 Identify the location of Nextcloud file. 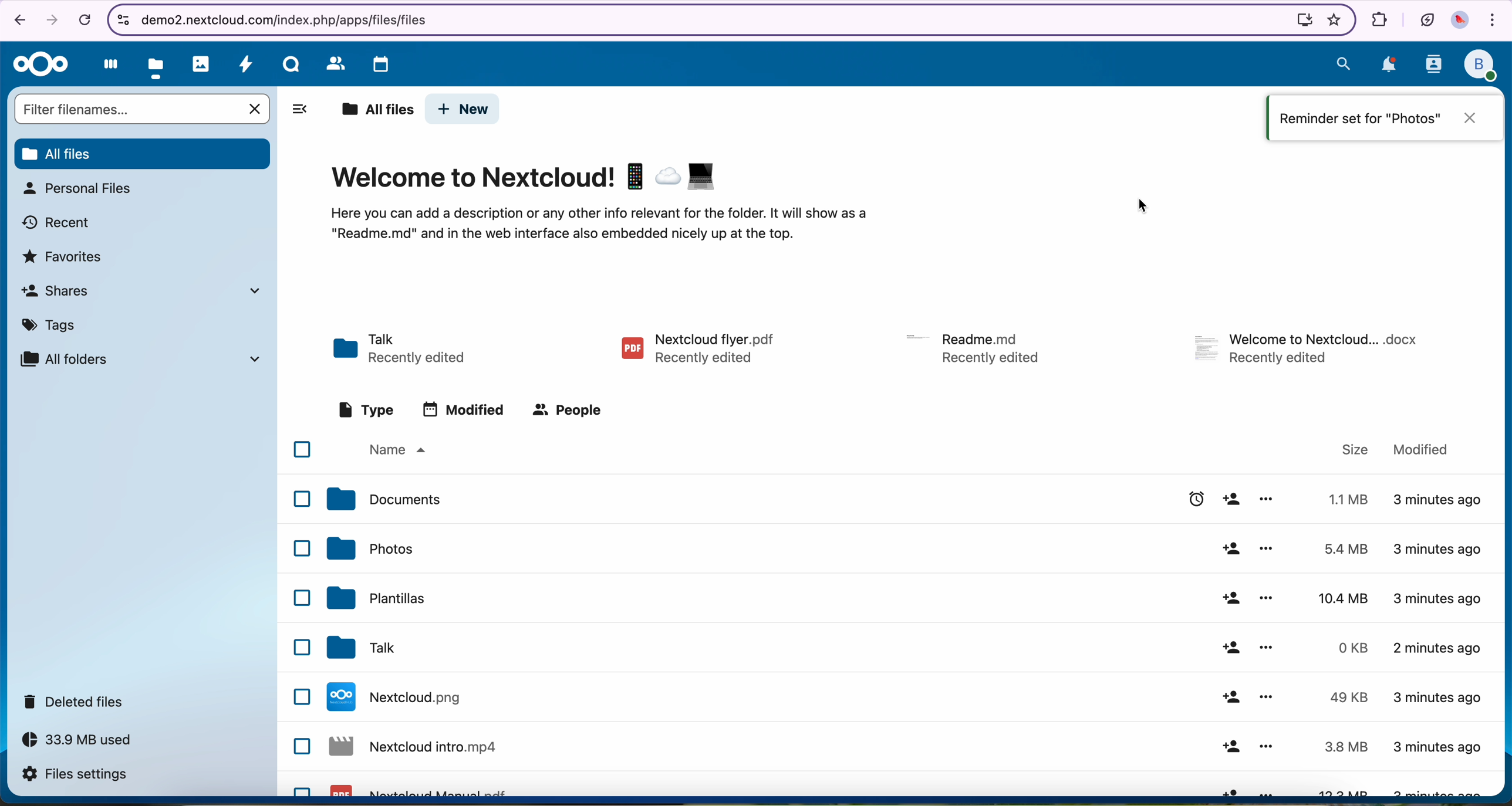
(417, 749).